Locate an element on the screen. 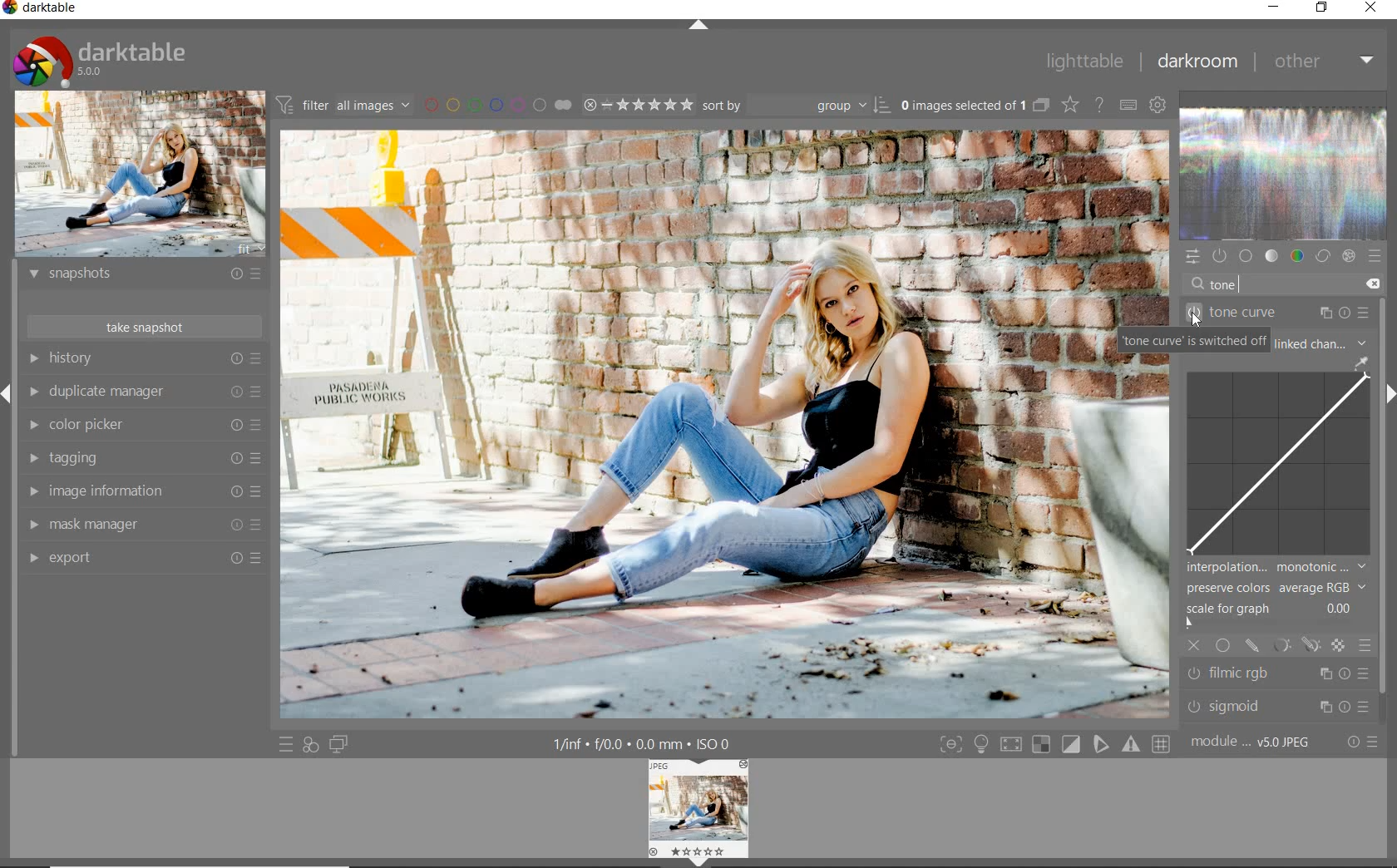 The height and width of the screenshot is (868, 1397). filter by image color is located at coordinates (501, 106).